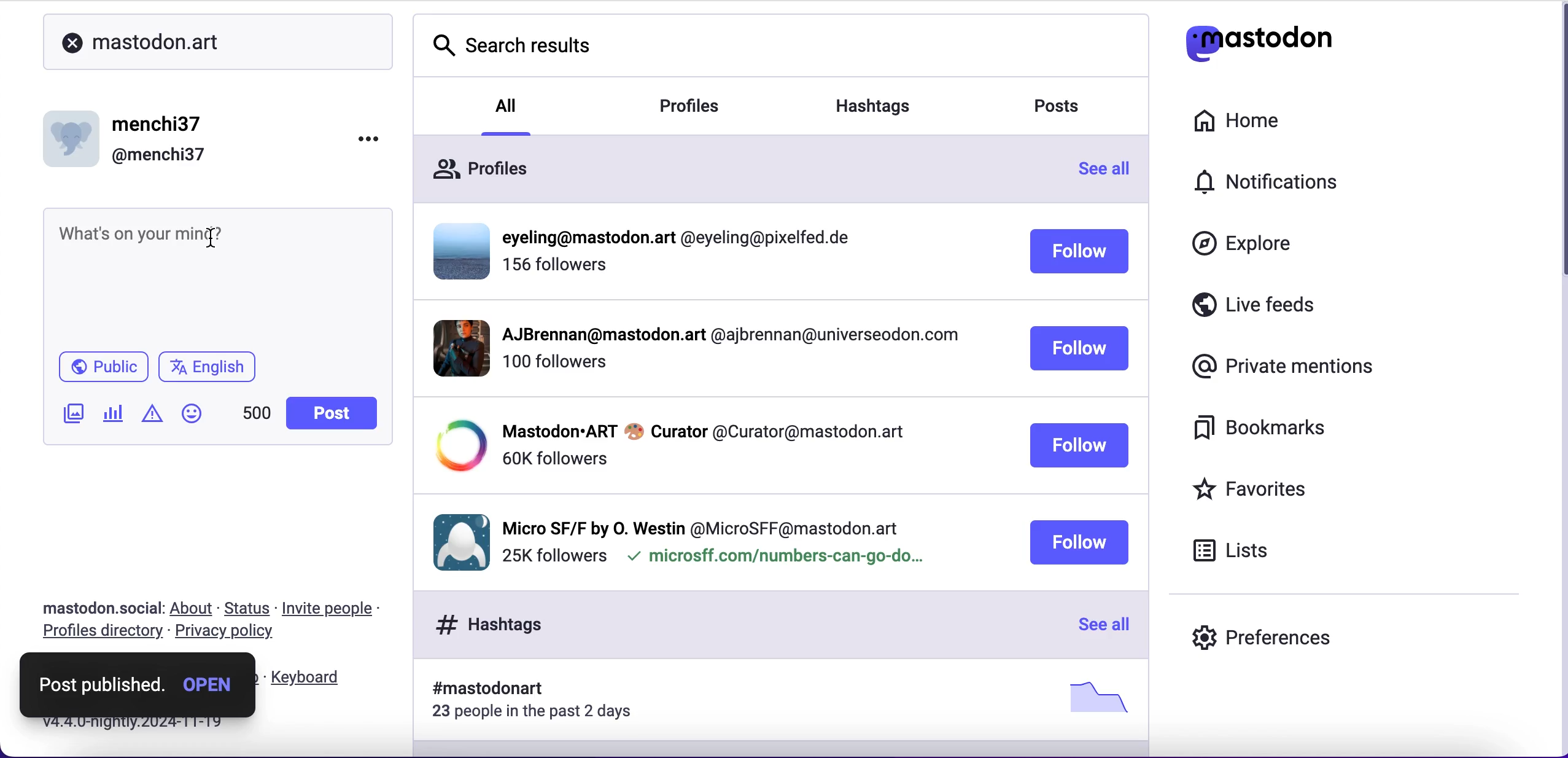  I want to click on profile, so click(702, 525).